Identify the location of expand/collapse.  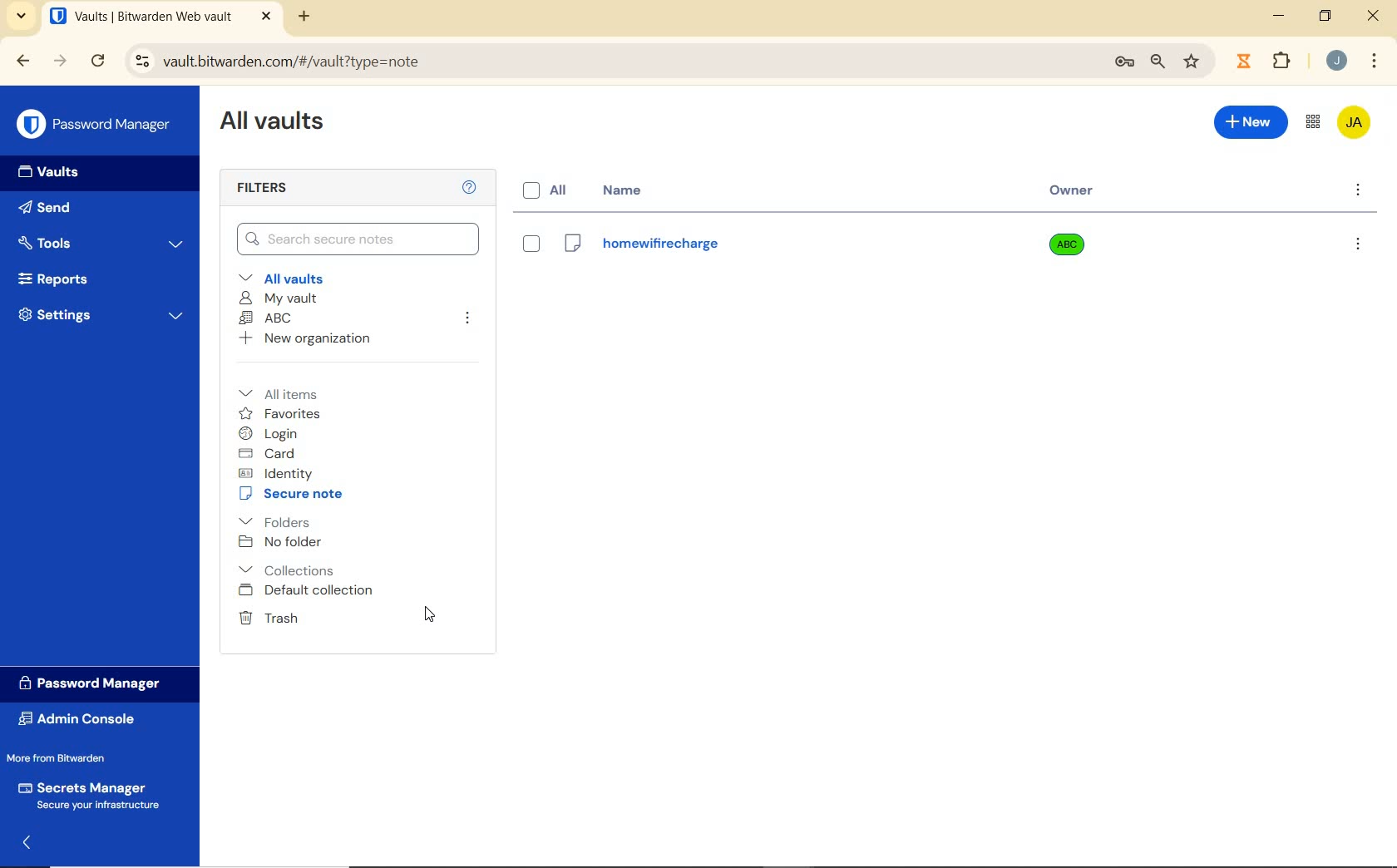
(22, 846).